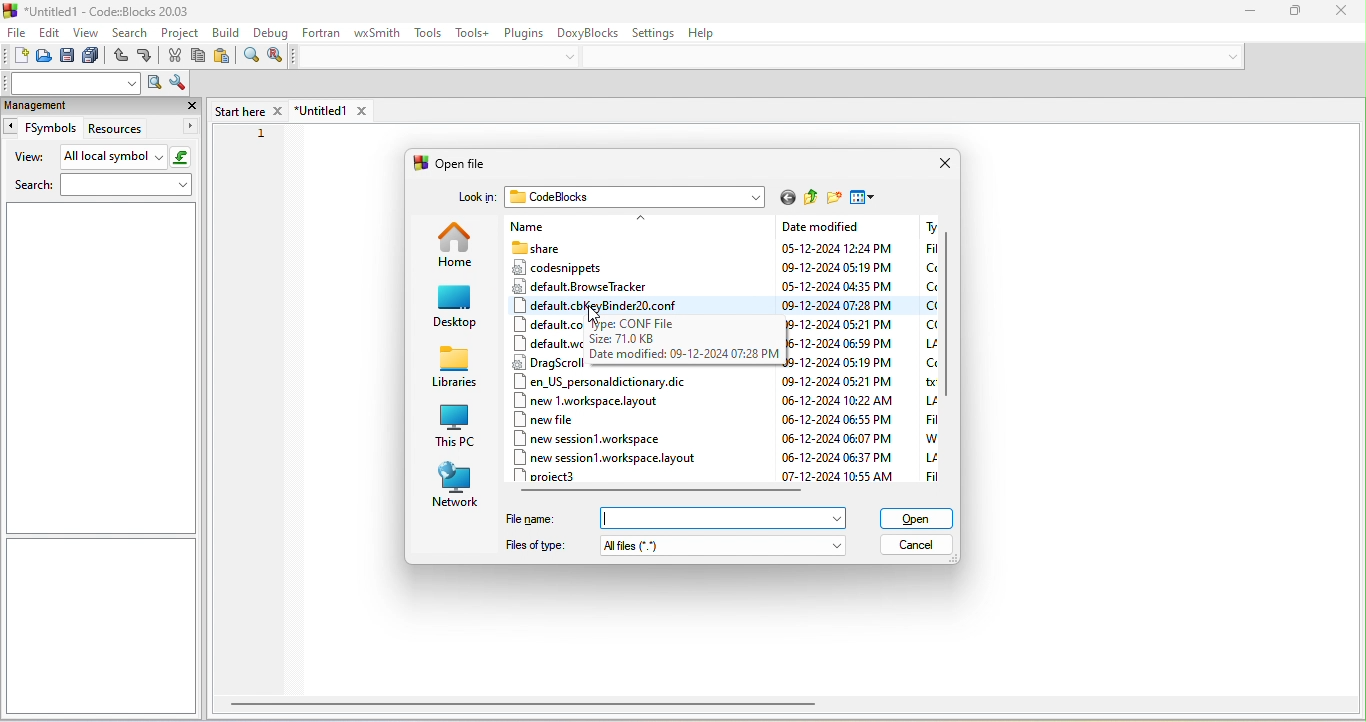 The image size is (1366, 722). I want to click on new, so click(16, 57).